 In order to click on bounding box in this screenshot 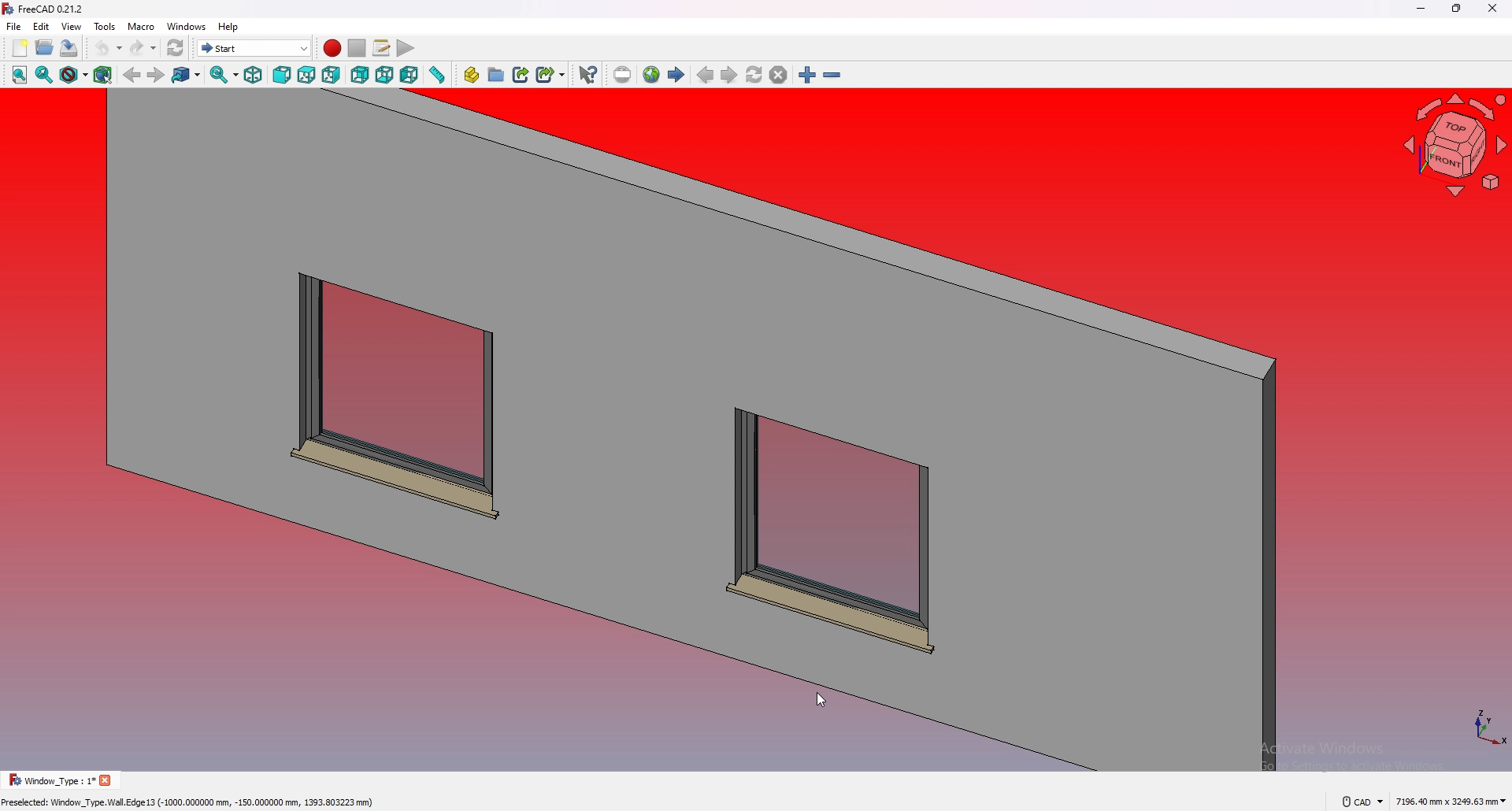, I will do `click(104, 75)`.